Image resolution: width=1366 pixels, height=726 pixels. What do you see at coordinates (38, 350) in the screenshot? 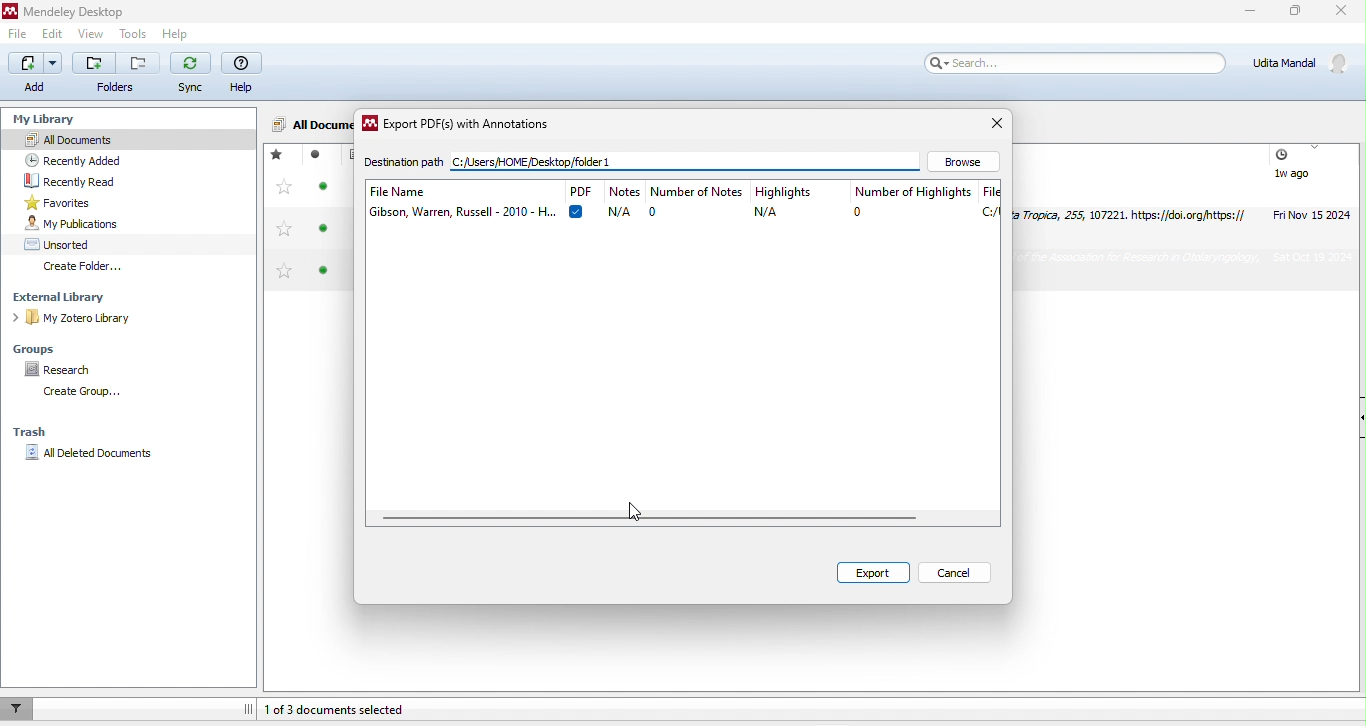
I see `groups` at bounding box center [38, 350].